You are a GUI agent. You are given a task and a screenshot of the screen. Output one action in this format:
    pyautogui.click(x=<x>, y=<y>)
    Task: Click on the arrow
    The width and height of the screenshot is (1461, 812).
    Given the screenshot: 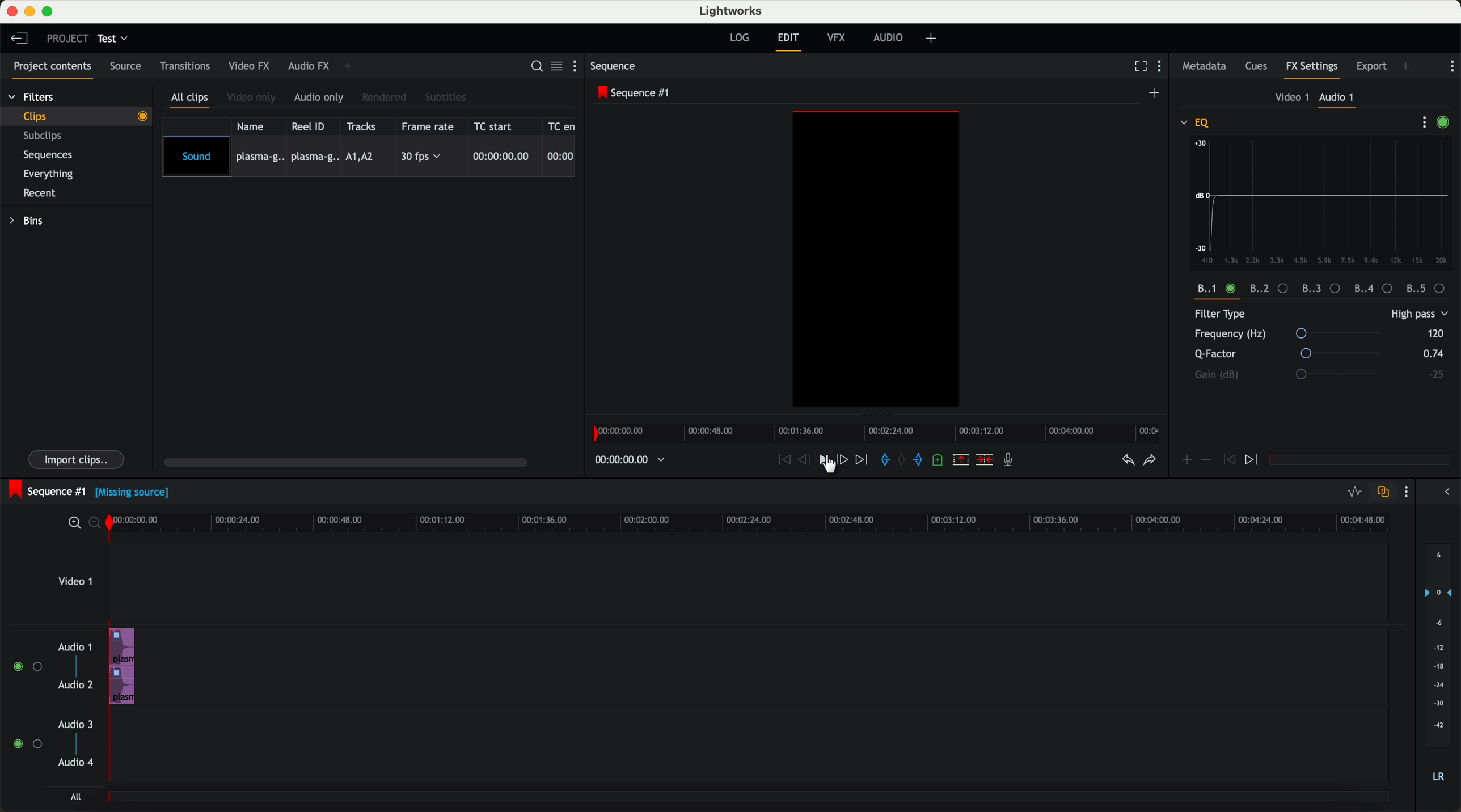 What is the action you would take?
    pyautogui.click(x=1443, y=493)
    